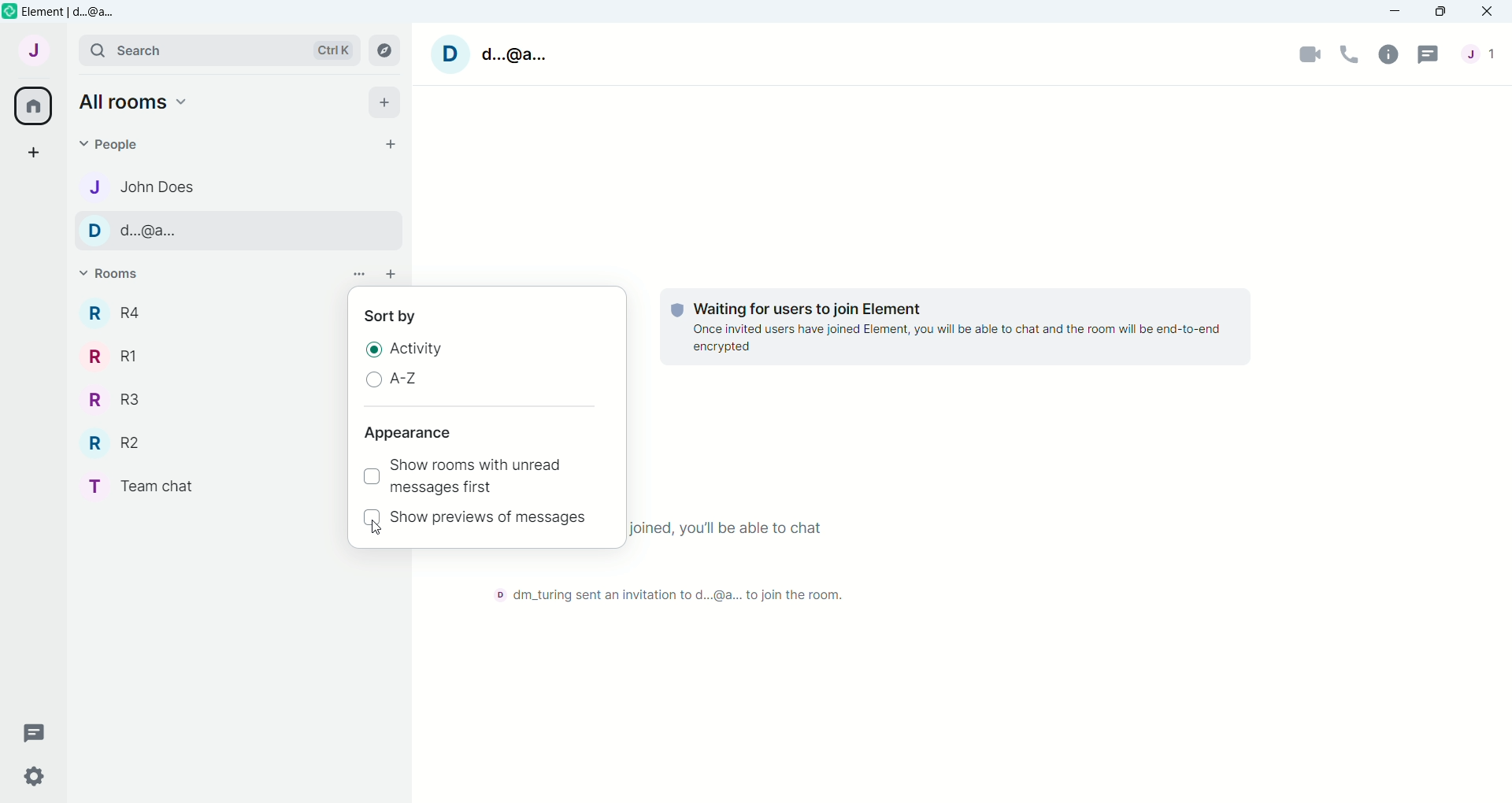  I want to click on Start chat, so click(391, 143).